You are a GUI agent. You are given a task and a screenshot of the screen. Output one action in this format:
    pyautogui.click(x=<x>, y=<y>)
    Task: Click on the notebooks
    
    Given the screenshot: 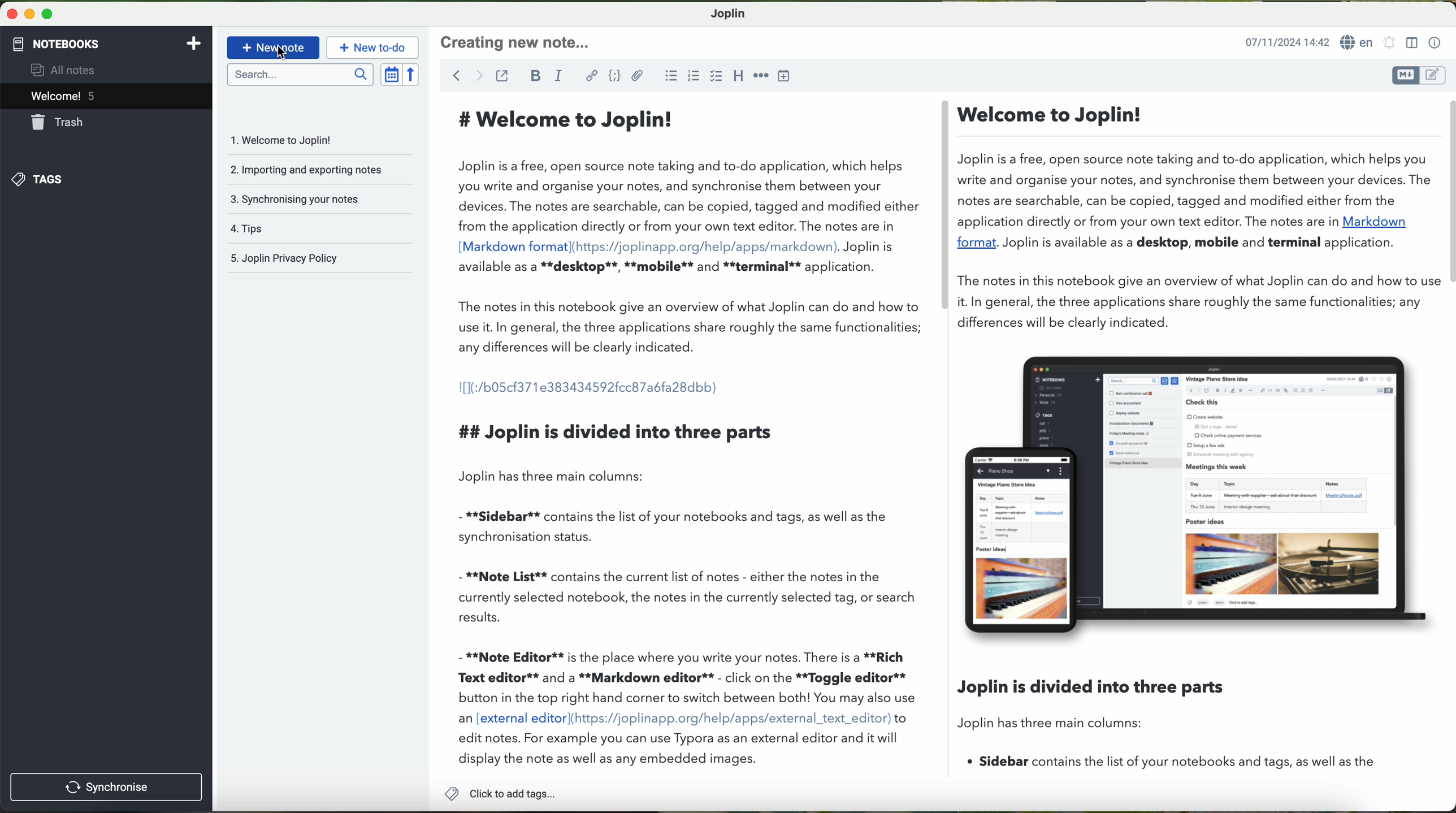 What is the action you would take?
    pyautogui.click(x=107, y=42)
    